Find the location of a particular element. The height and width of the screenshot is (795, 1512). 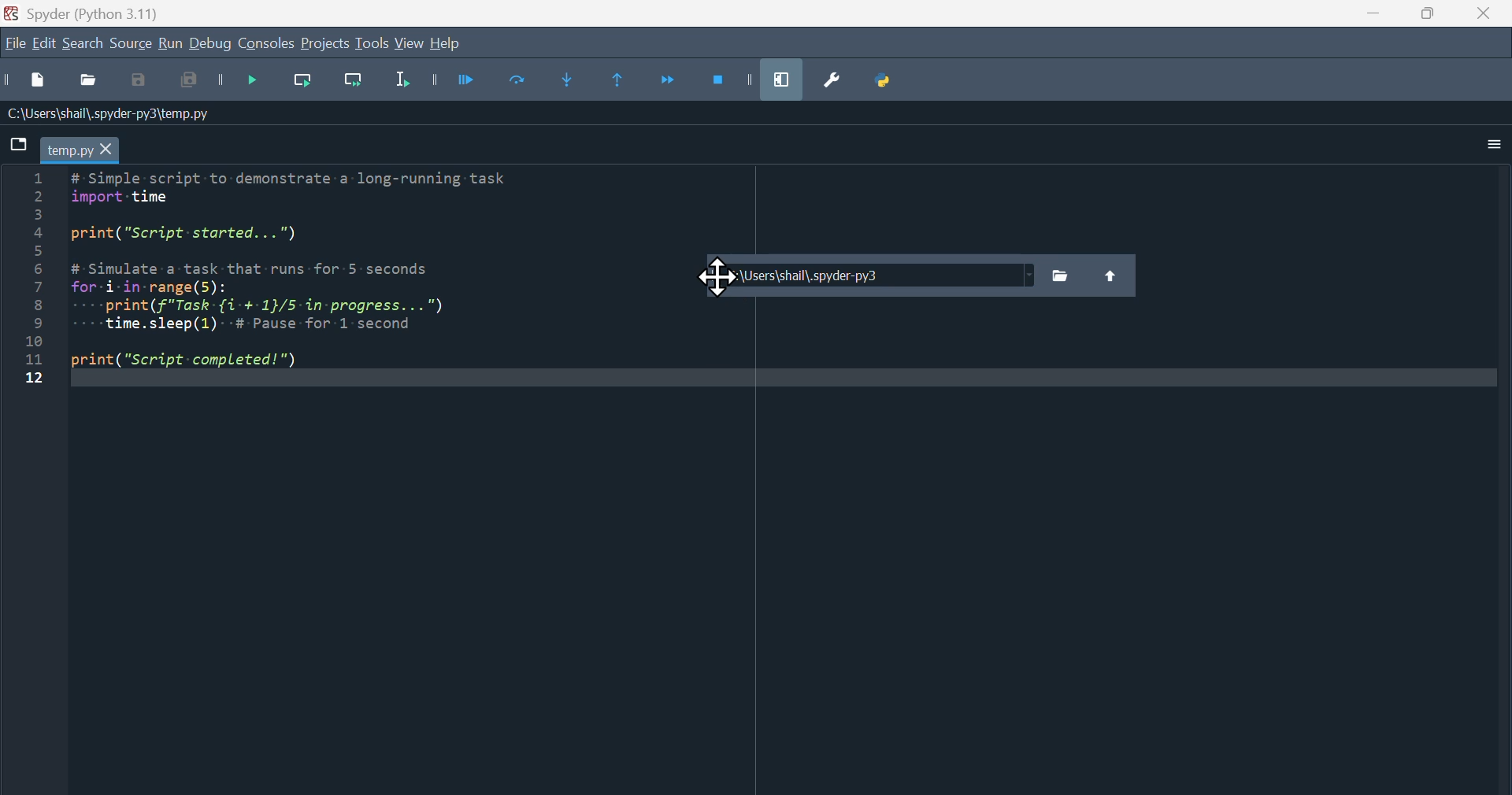

search is located at coordinates (83, 44).